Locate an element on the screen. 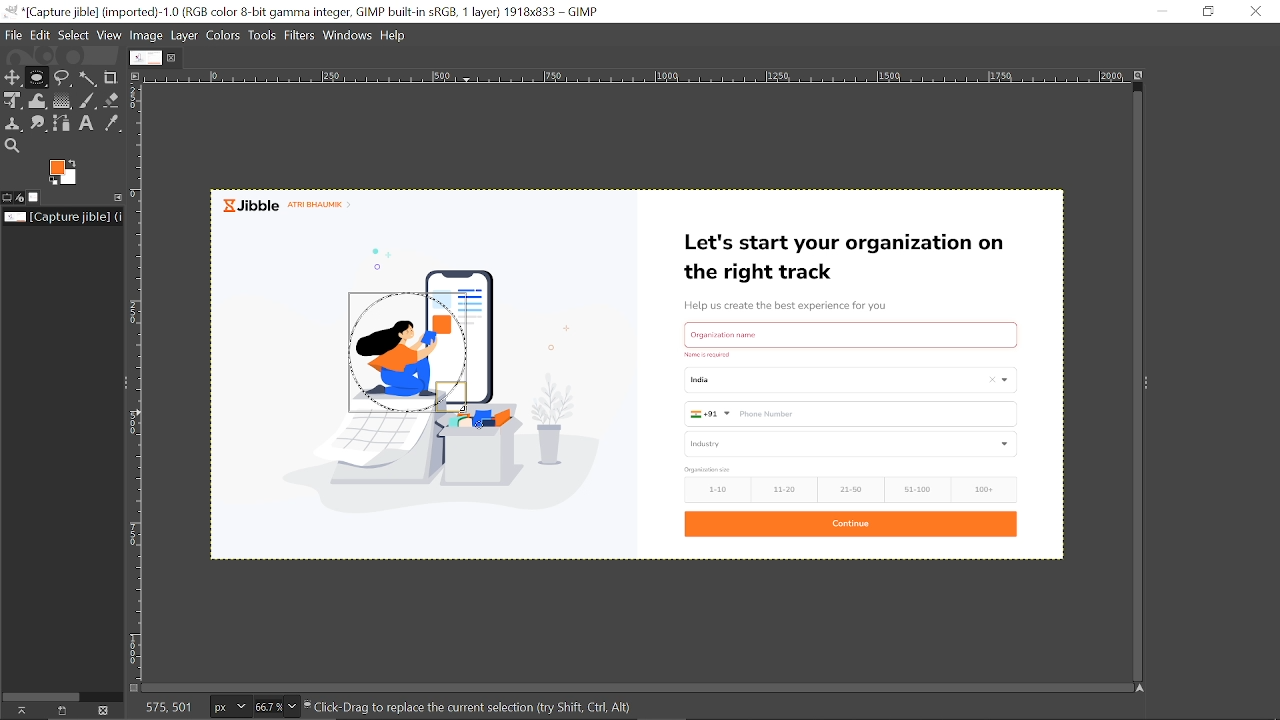  Minimize is located at coordinates (1166, 11).